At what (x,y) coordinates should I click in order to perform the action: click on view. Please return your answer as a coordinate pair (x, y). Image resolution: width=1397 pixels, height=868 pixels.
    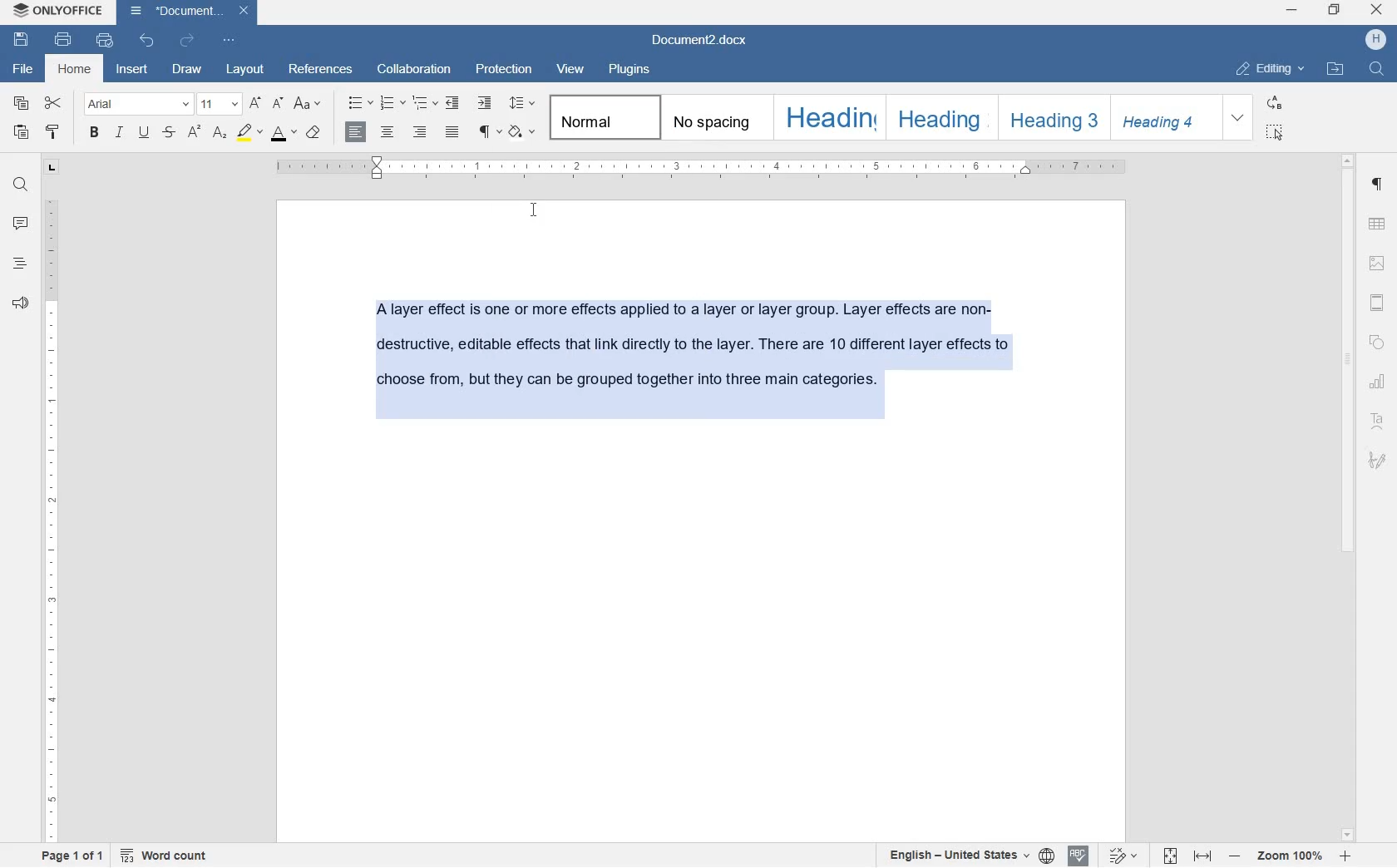
    Looking at the image, I should click on (571, 71).